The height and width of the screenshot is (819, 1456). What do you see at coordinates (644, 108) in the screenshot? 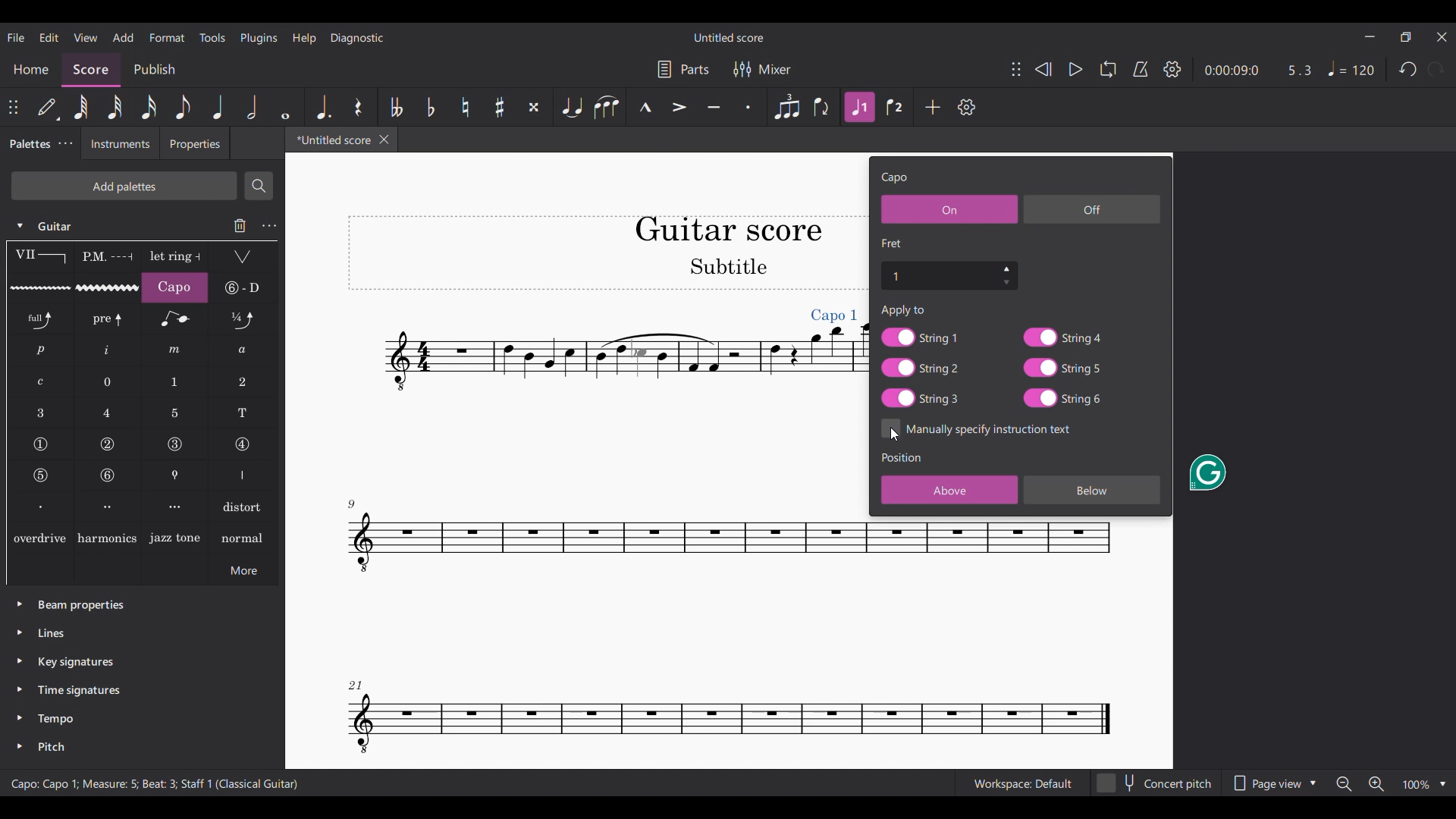
I see `Marcato` at bounding box center [644, 108].